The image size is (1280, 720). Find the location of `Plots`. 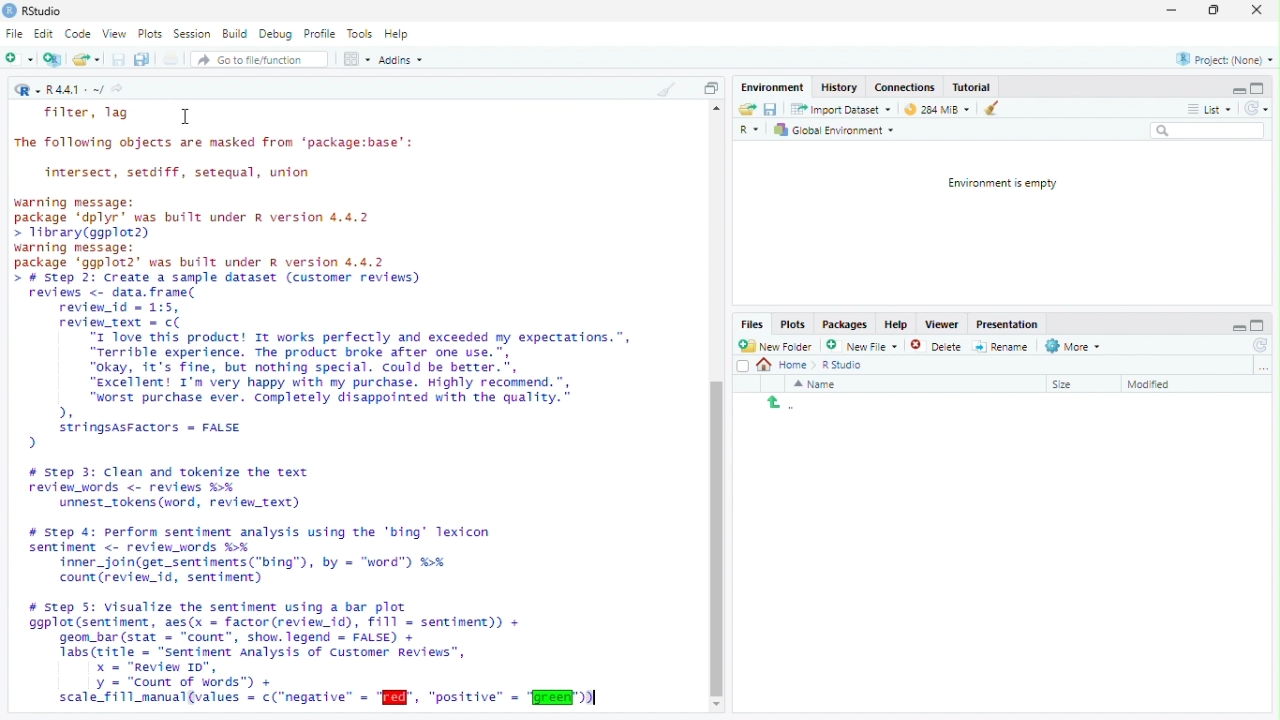

Plots is located at coordinates (149, 34).